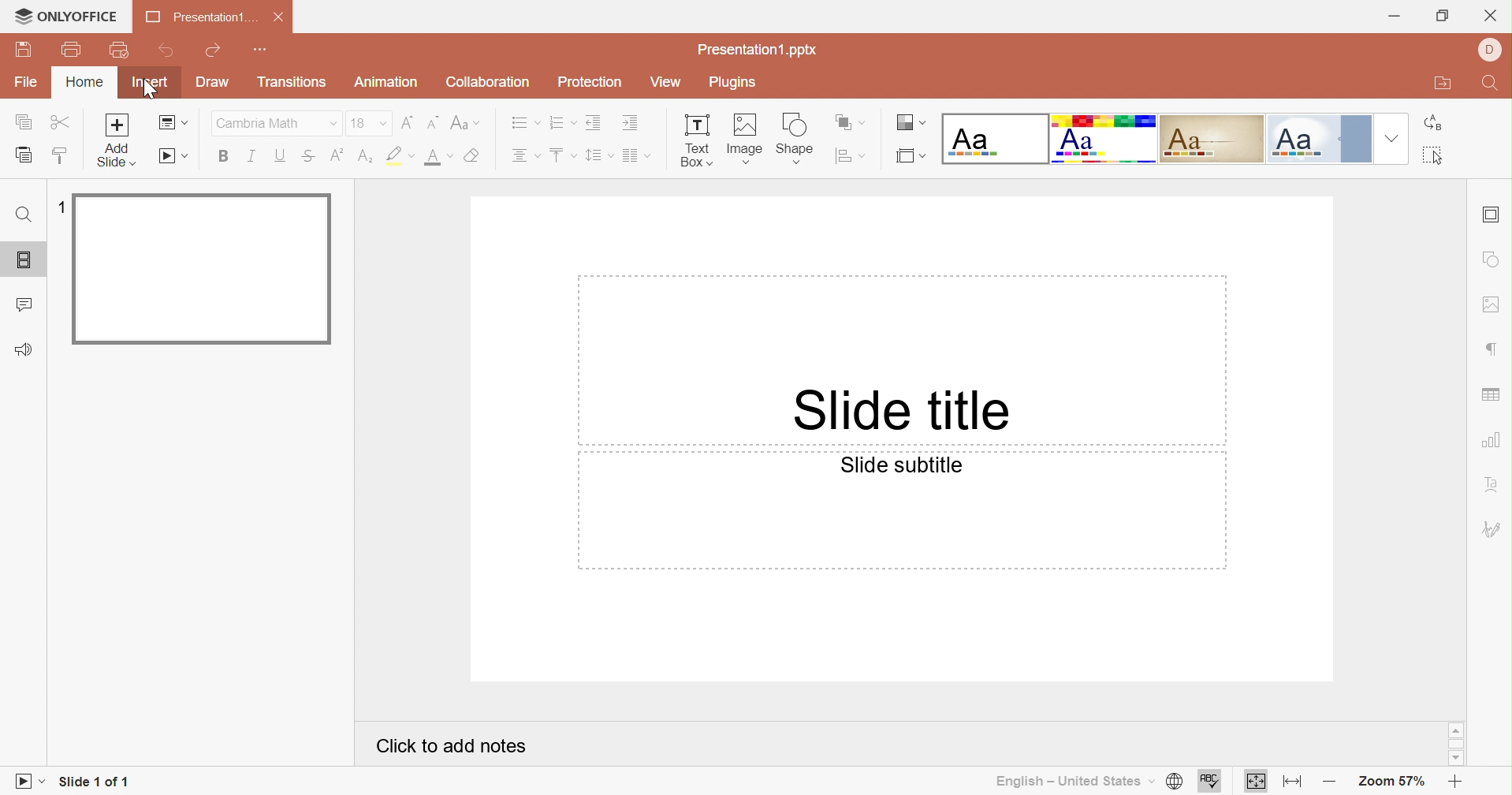 This screenshot has width=1512, height=795. What do you see at coordinates (995, 139) in the screenshot?
I see `Blank` at bounding box center [995, 139].